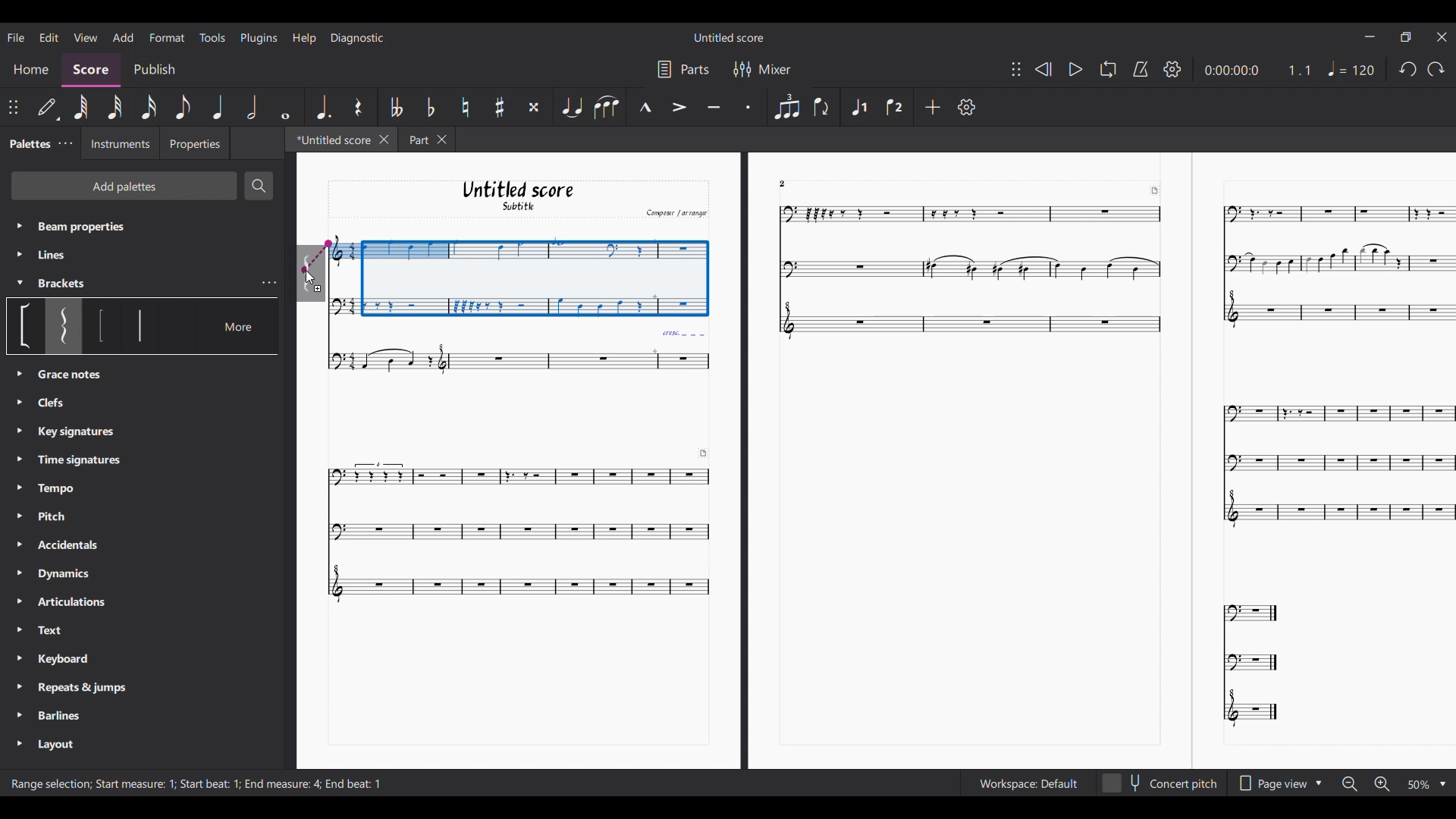  I want to click on Accent, so click(679, 107).